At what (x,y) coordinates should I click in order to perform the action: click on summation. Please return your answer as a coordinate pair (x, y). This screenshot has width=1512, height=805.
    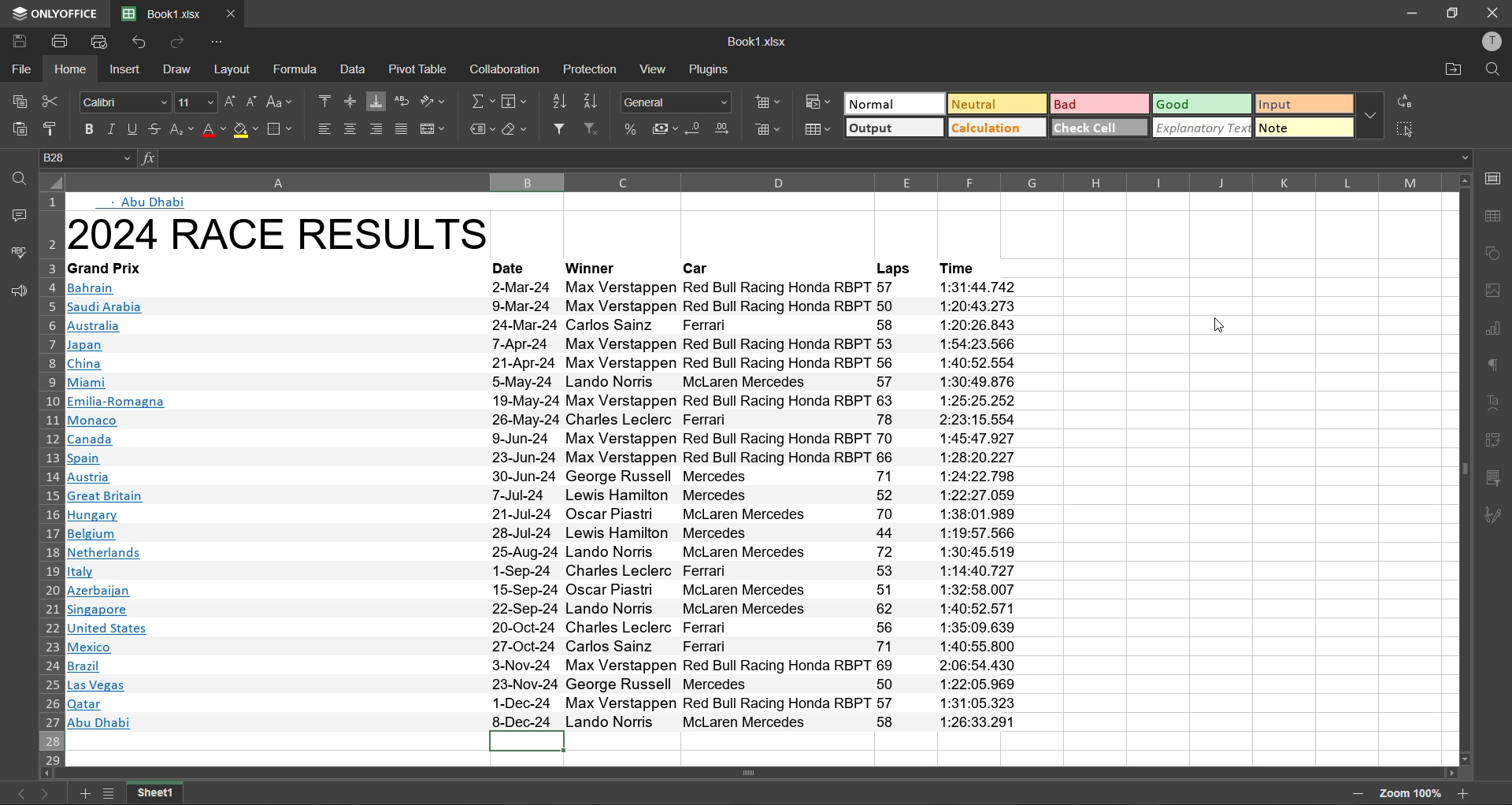
    Looking at the image, I should click on (479, 102).